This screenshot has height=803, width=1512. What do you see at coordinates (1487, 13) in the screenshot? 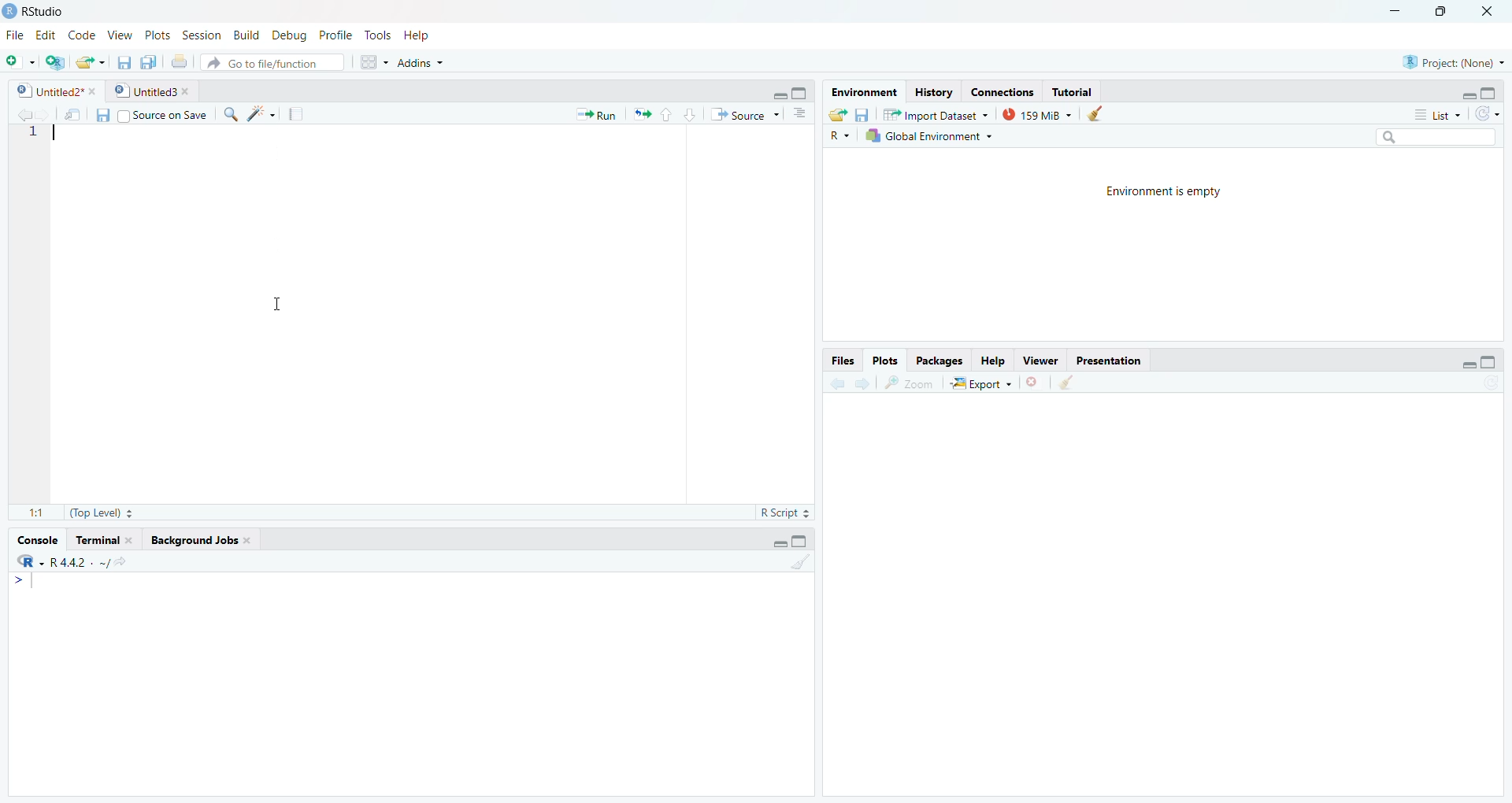
I see `Close` at bounding box center [1487, 13].